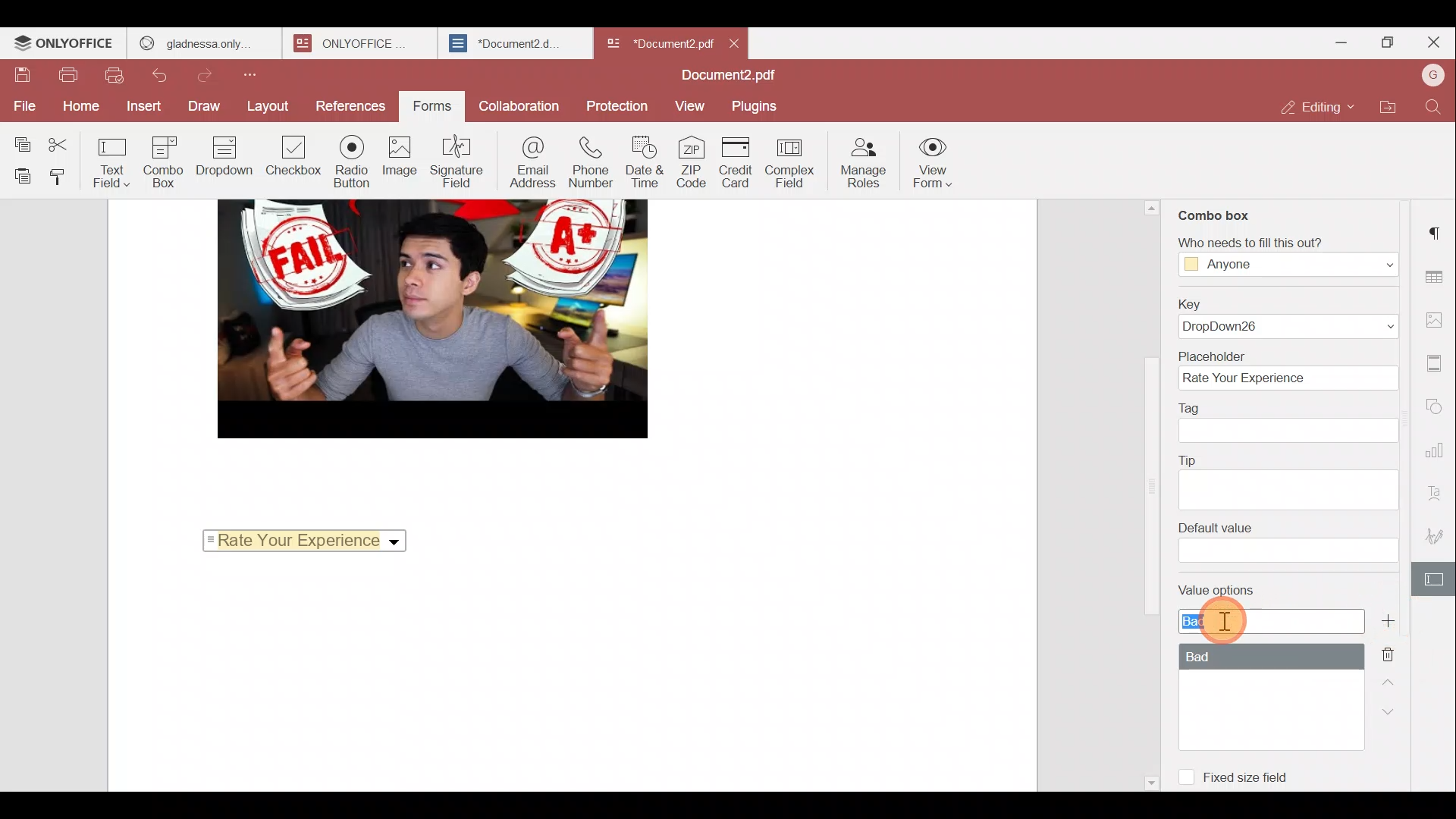  Describe the element at coordinates (68, 77) in the screenshot. I see `Print file` at that location.